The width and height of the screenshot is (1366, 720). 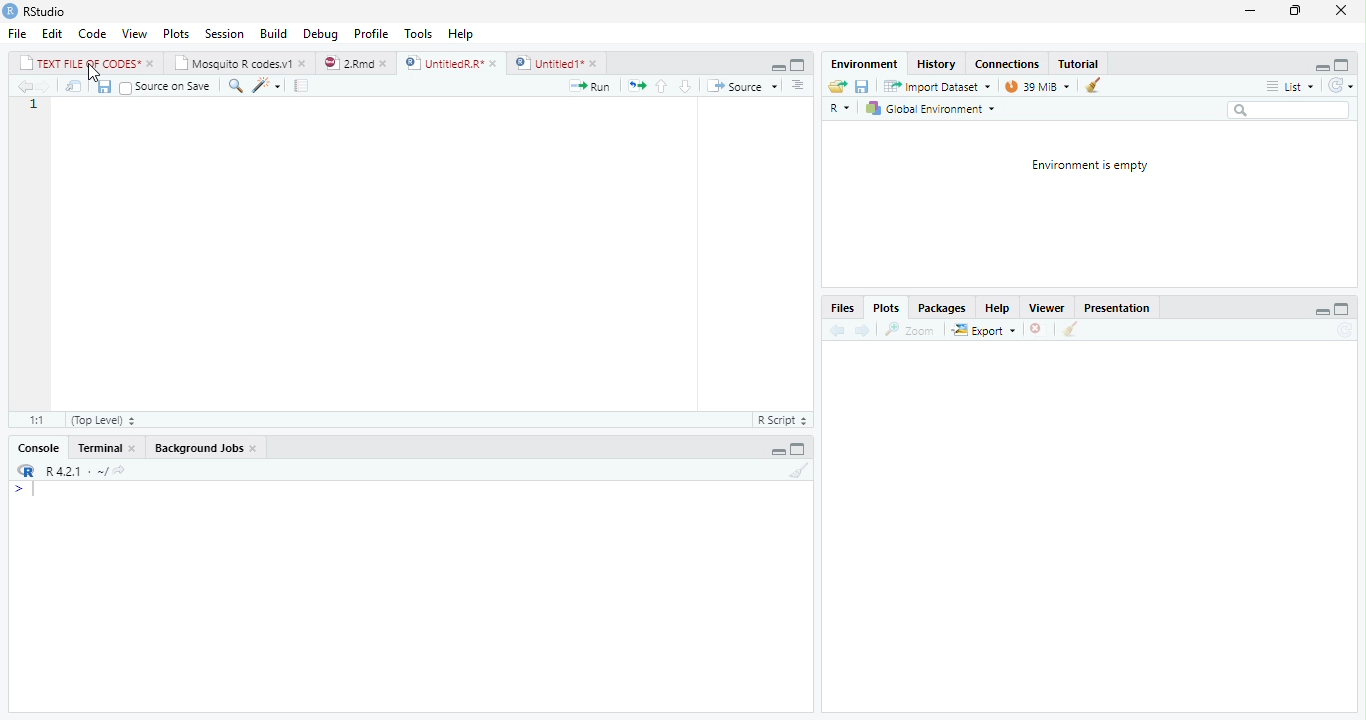 I want to click on Previous, so click(x=23, y=87).